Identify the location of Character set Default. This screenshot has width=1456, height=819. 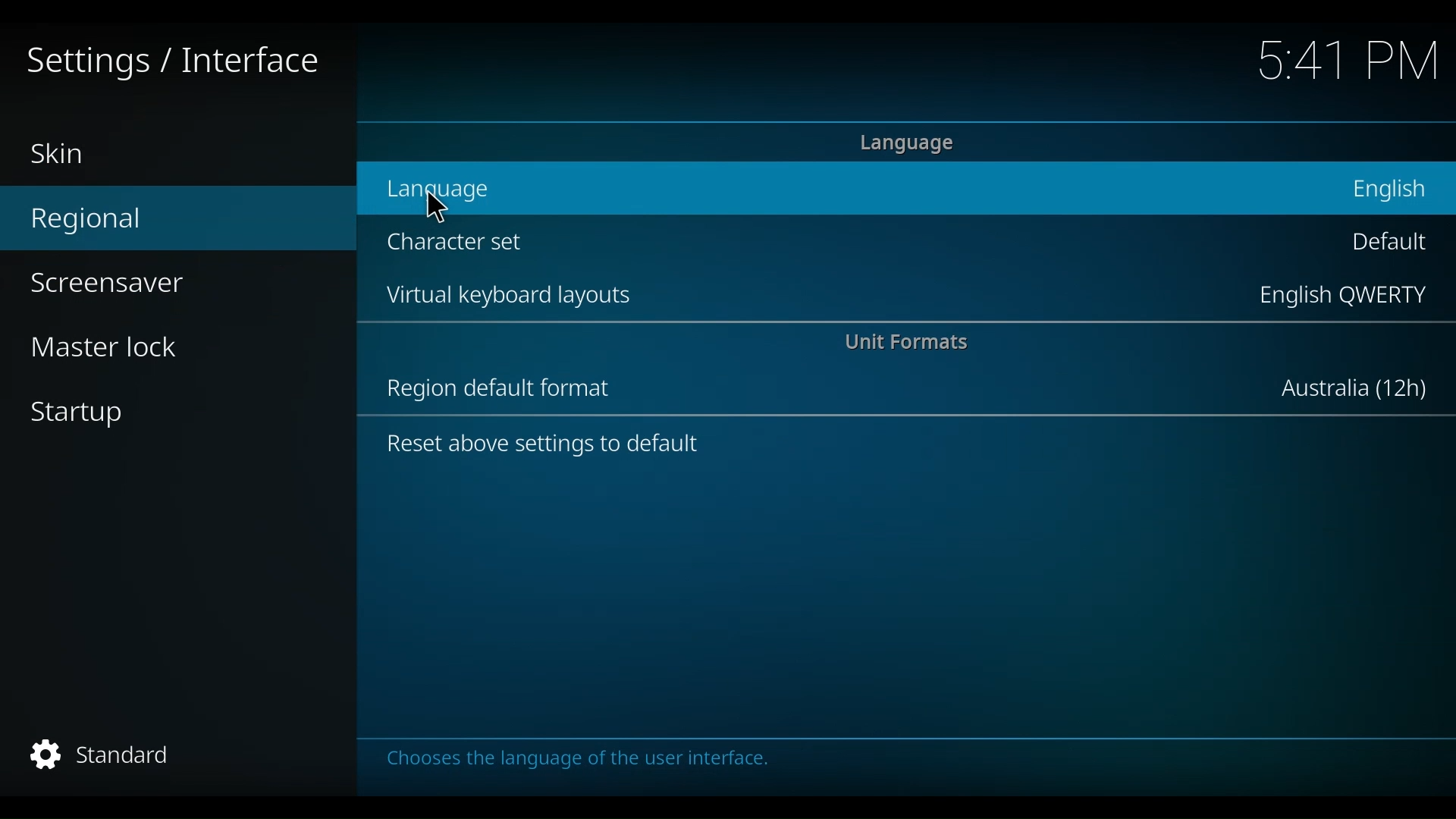
(897, 250).